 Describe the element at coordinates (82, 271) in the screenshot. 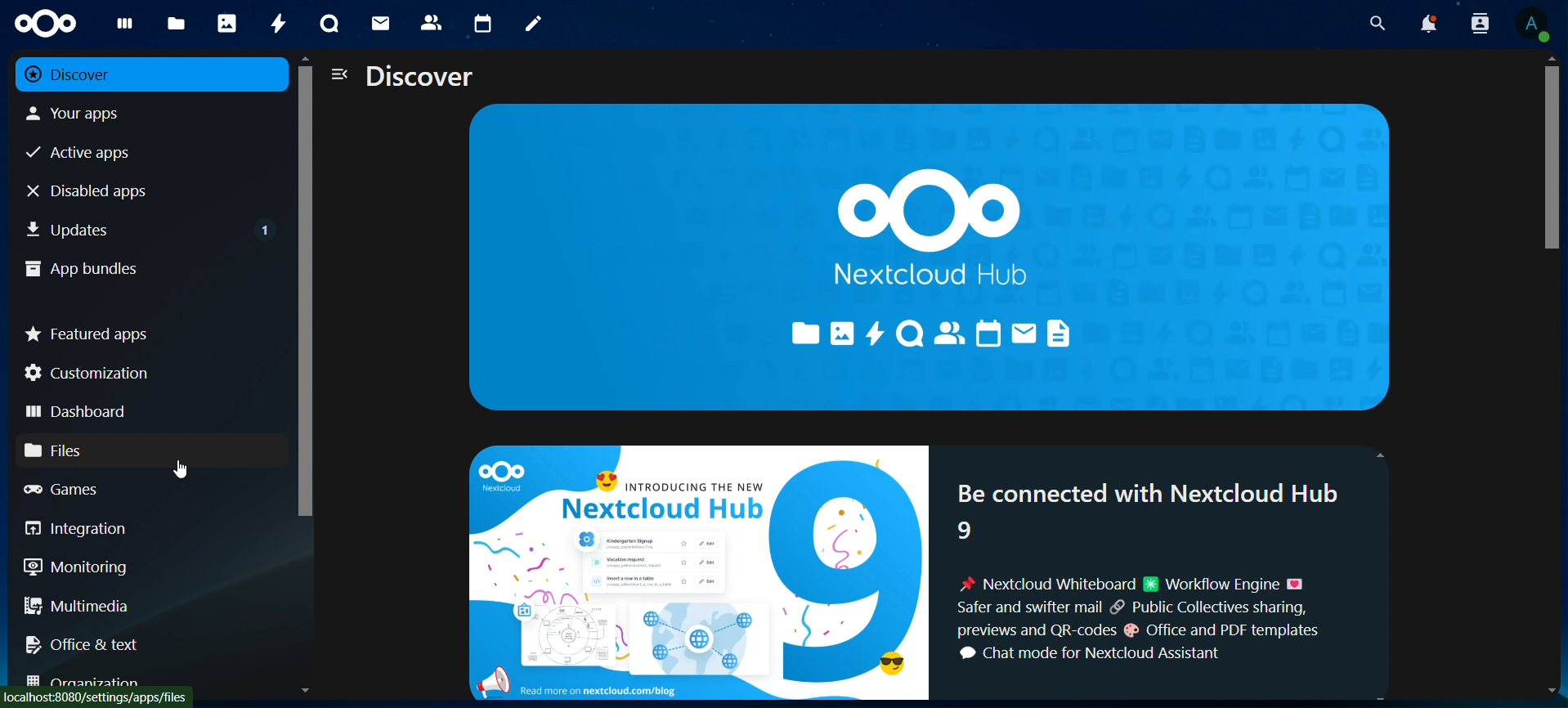

I see `app bundles` at that location.